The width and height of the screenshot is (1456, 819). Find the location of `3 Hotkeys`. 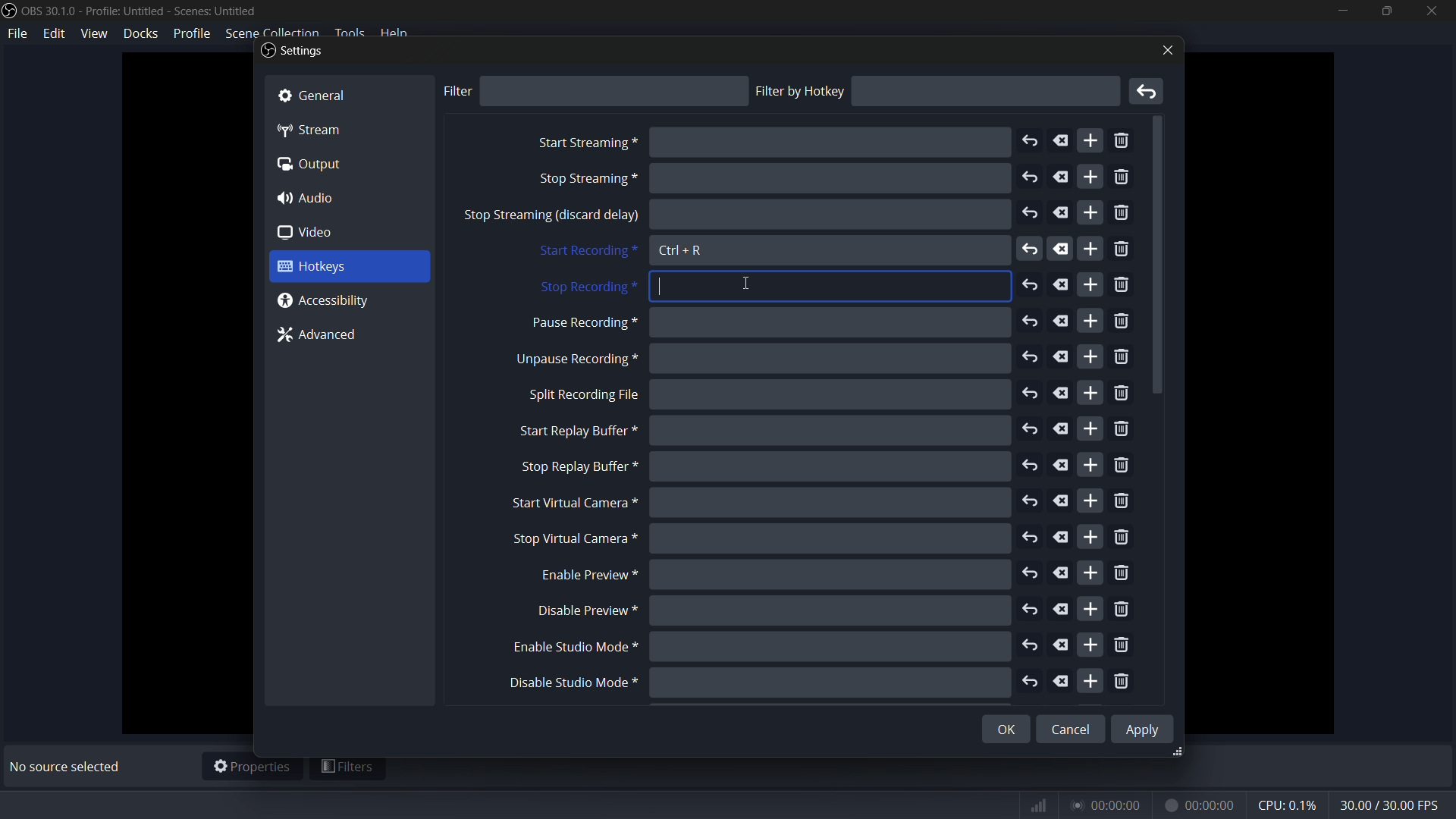

3 Hotkeys is located at coordinates (334, 267).